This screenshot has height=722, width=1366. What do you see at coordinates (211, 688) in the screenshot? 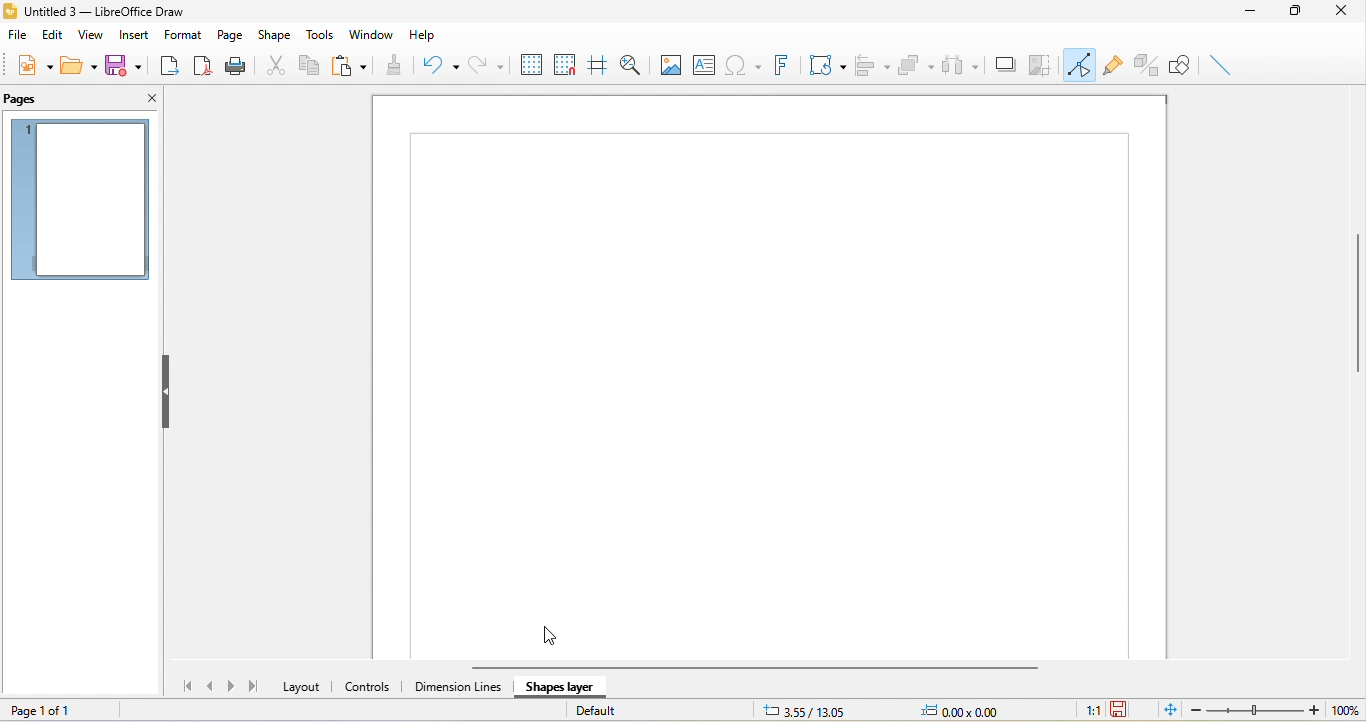
I see `previous page` at bounding box center [211, 688].